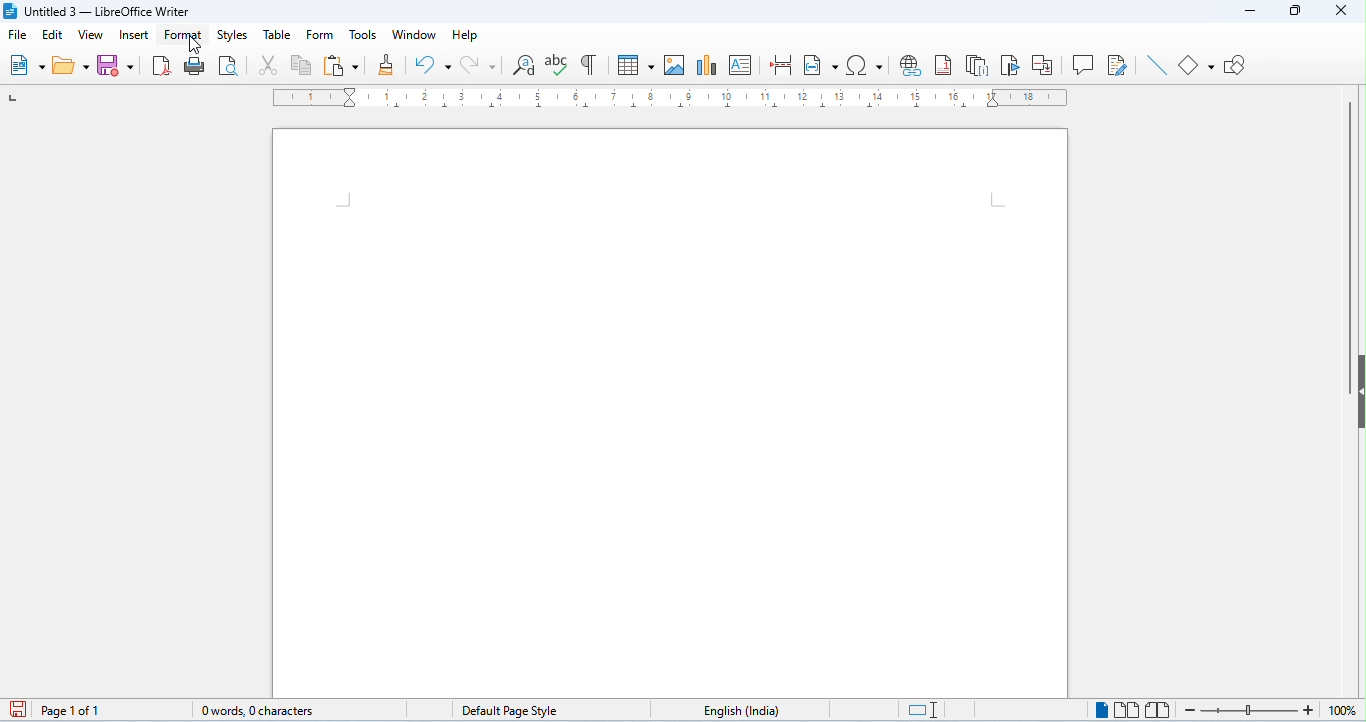 Image resolution: width=1366 pixels, height=722 pixels. What do you see at coordinates (271, 67) in the screenshot?
I see `cut` at bounding box center [271, 67].